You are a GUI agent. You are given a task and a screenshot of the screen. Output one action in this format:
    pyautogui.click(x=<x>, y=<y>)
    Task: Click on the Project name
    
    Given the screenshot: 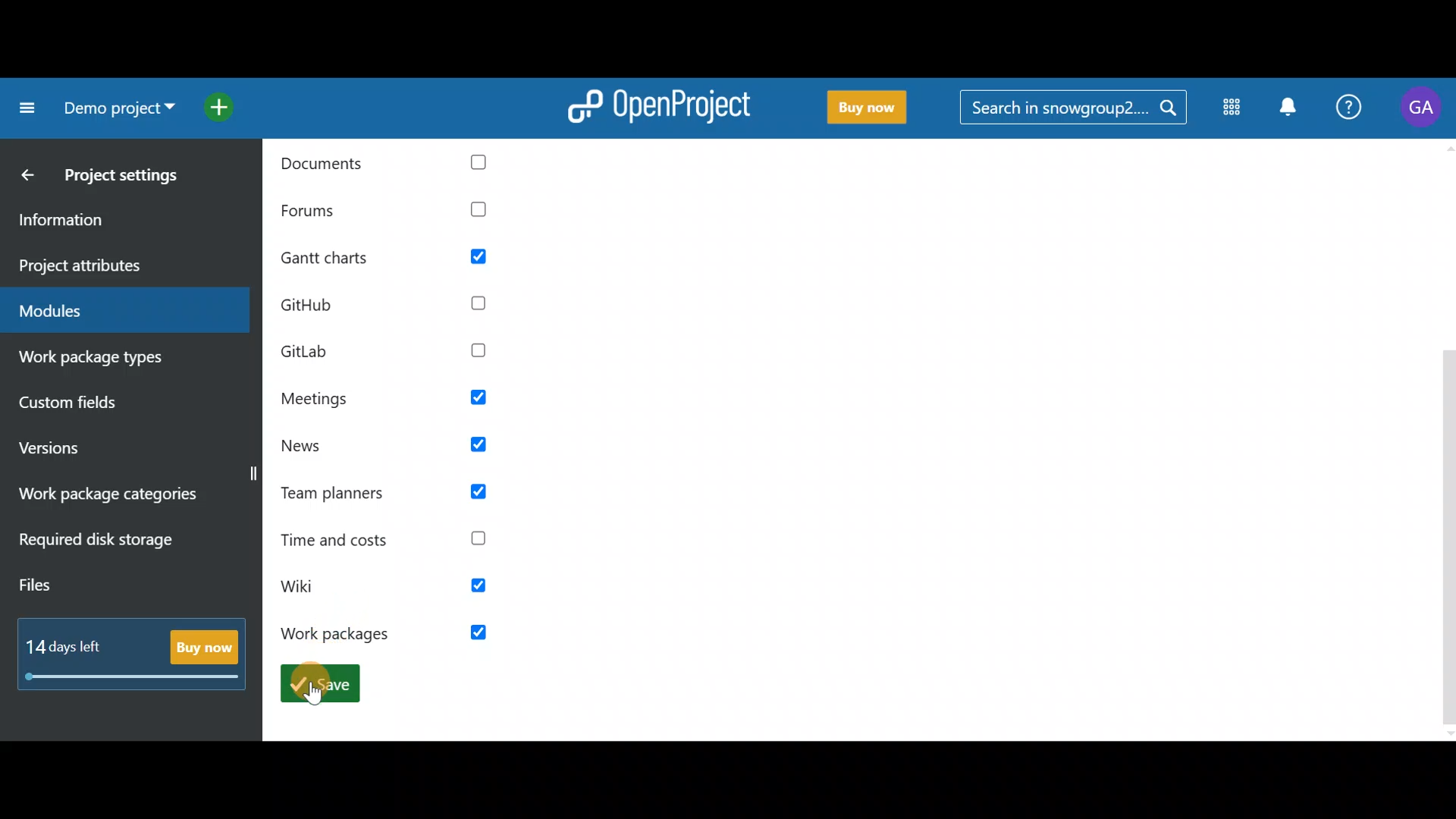 What is the action you would take?
    pyautogui.click(x=115, y=108)
    